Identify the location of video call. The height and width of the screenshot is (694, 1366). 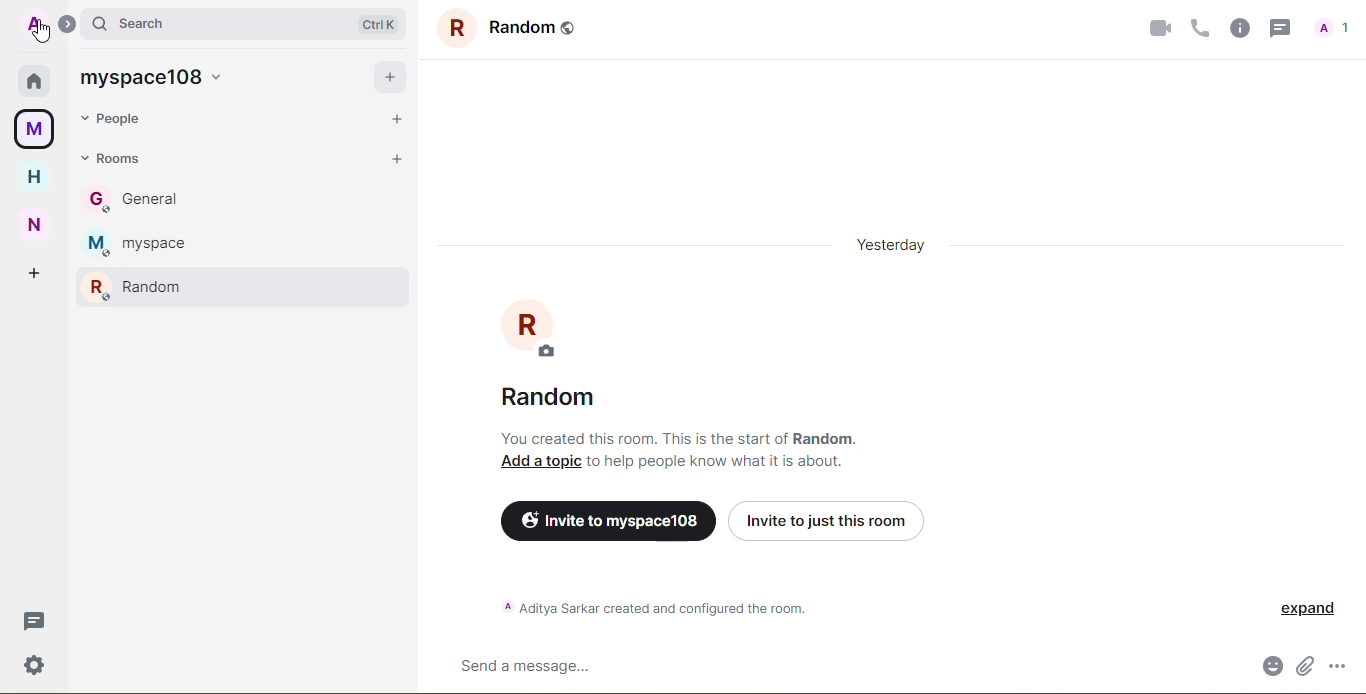
(1159, 27).